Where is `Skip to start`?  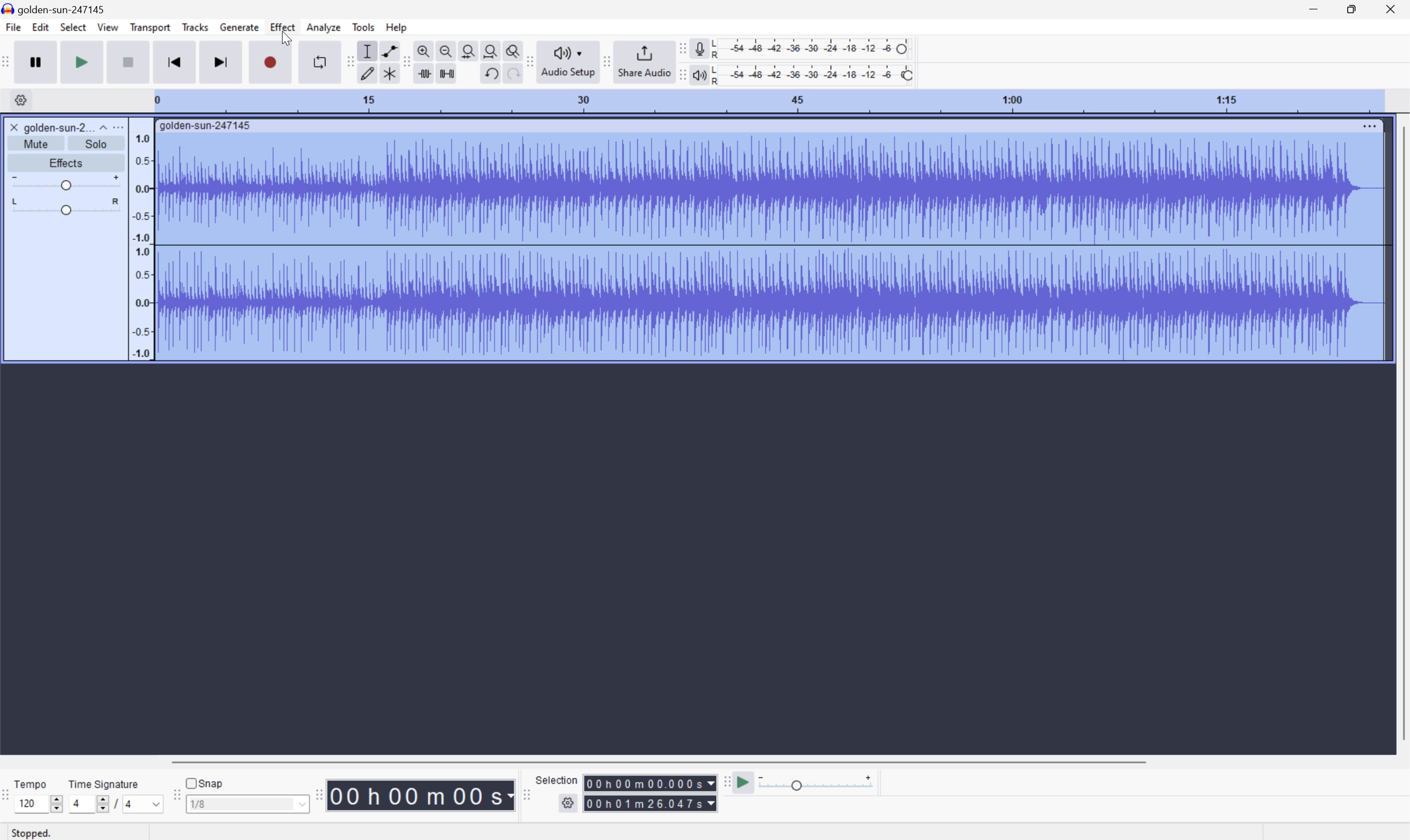 Skip to start is located at coordinates (174, 62).